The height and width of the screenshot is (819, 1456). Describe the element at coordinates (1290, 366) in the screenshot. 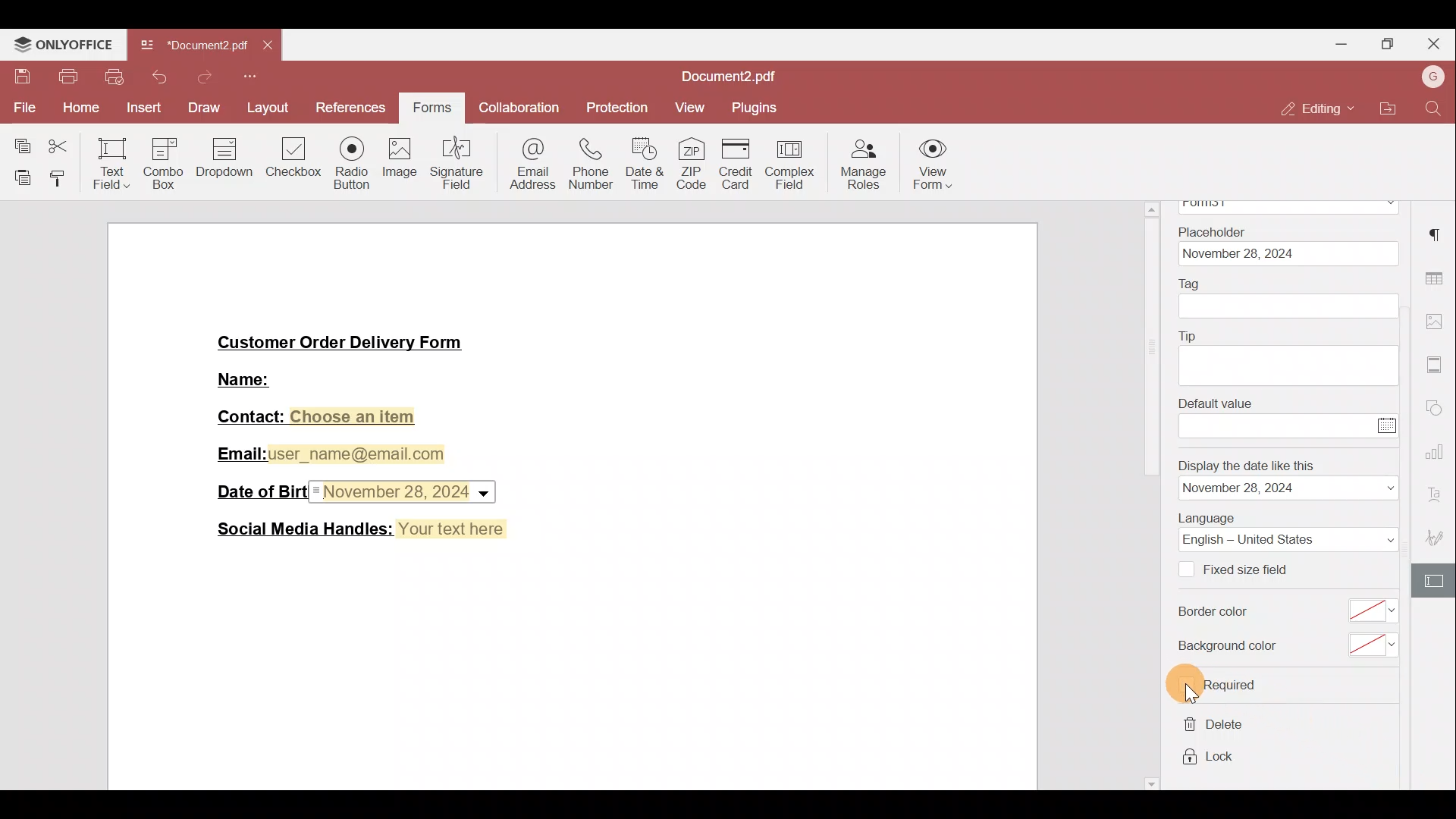

I see `tip` at that location.